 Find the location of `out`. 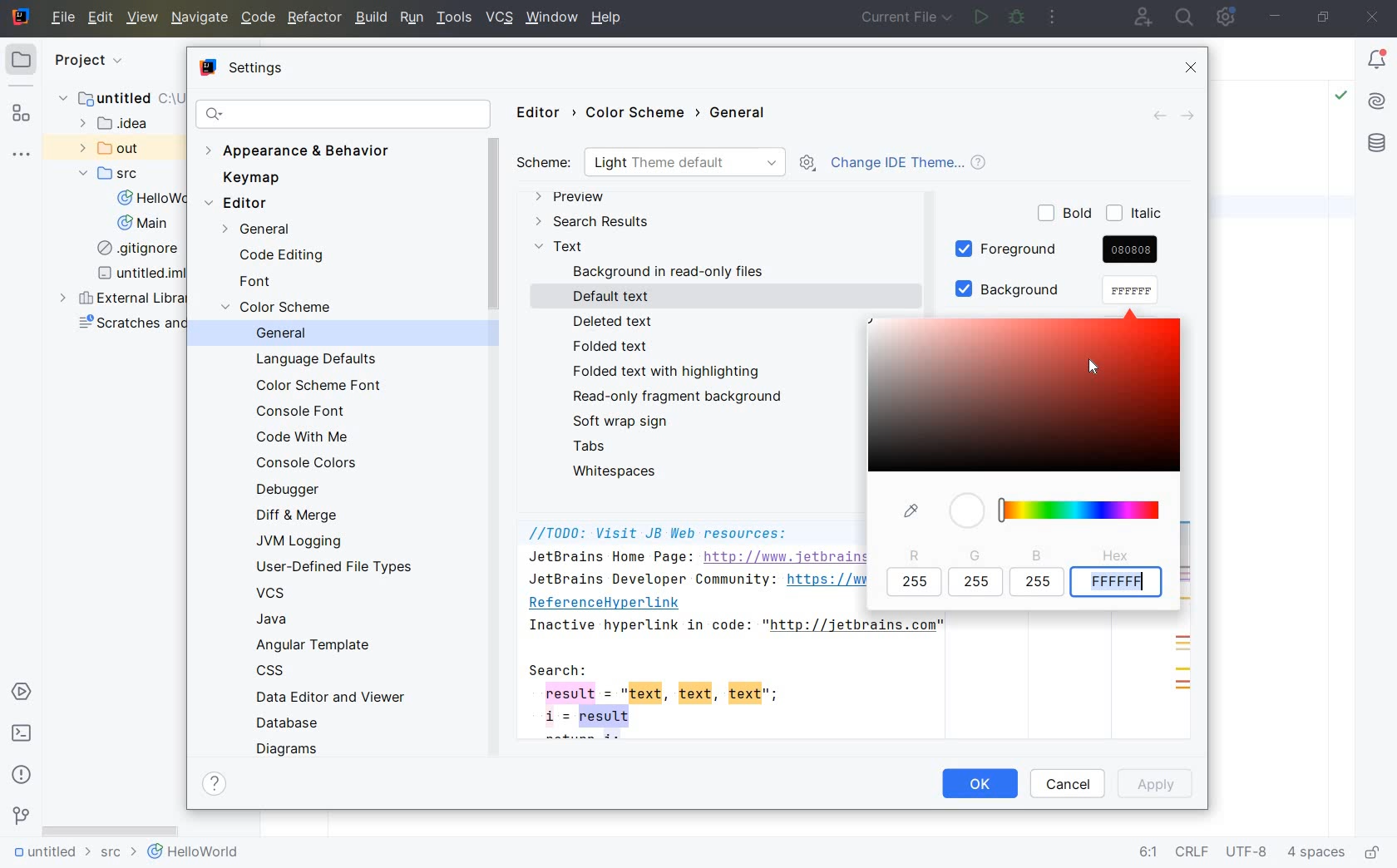

out is located at coordinates (109, 148).